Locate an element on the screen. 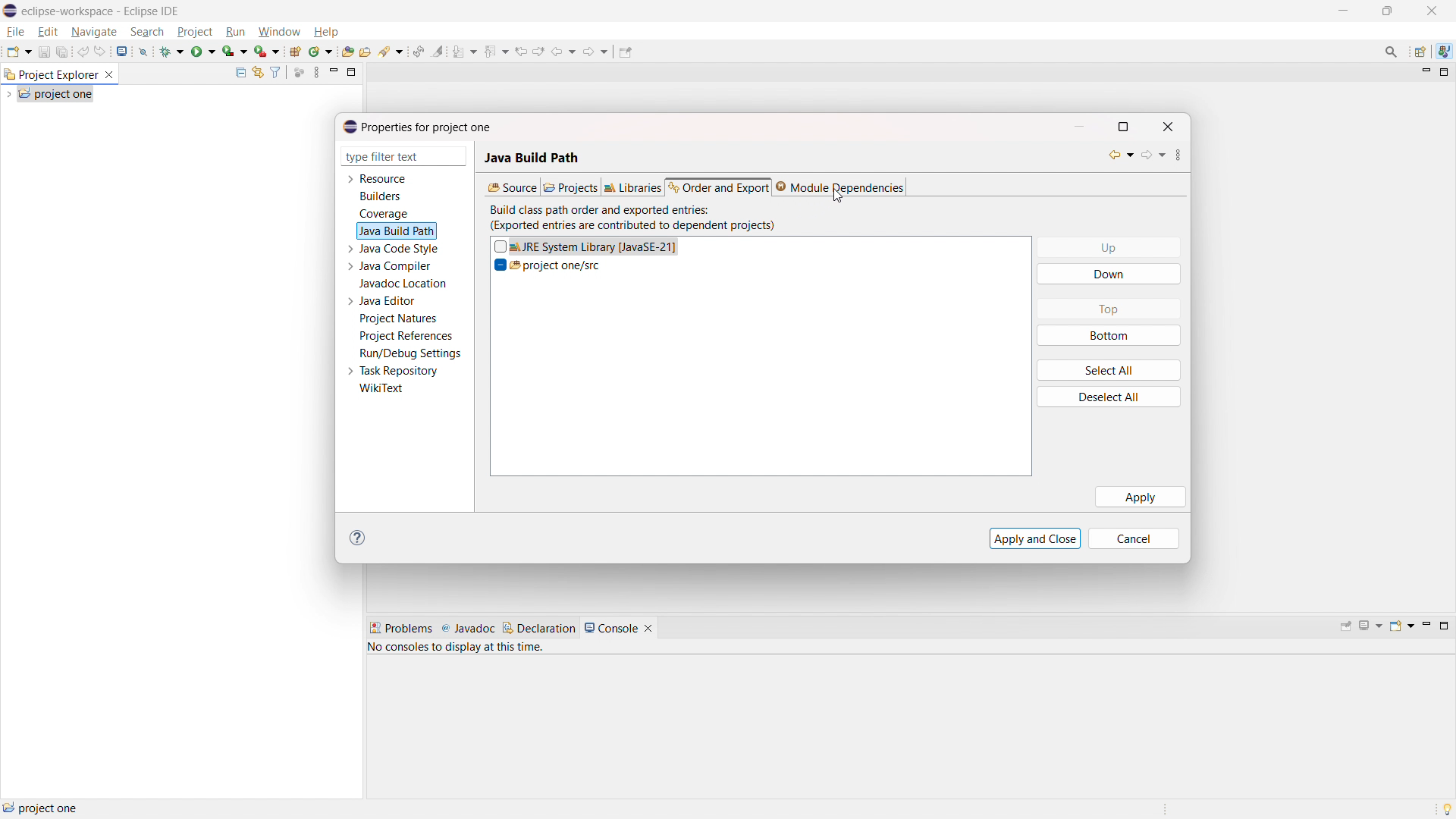 The image size is (1456, 819). redo is located at coordinates (101, 51).